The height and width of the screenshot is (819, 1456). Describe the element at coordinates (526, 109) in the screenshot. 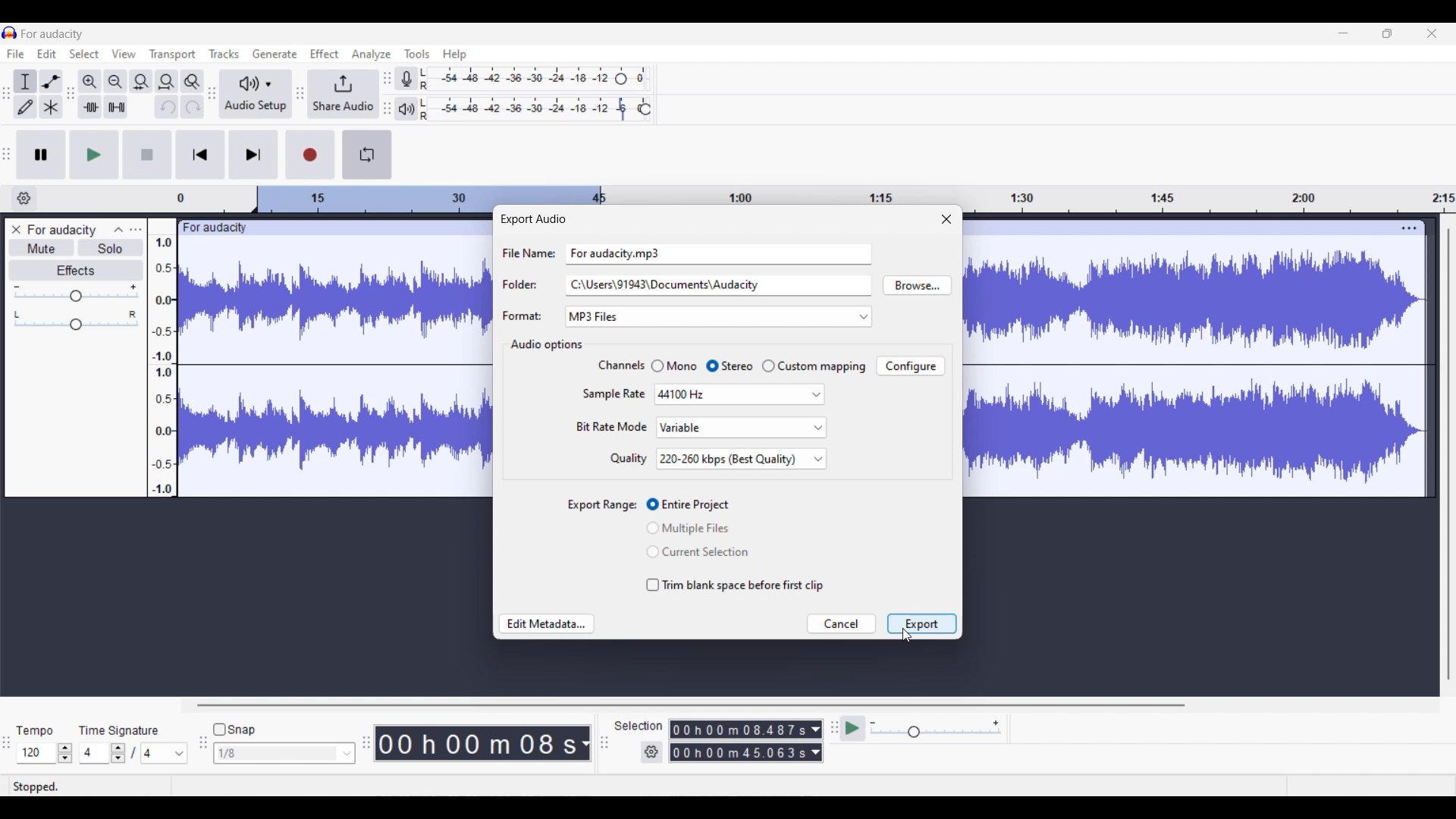

I see `Playback level` at that location.